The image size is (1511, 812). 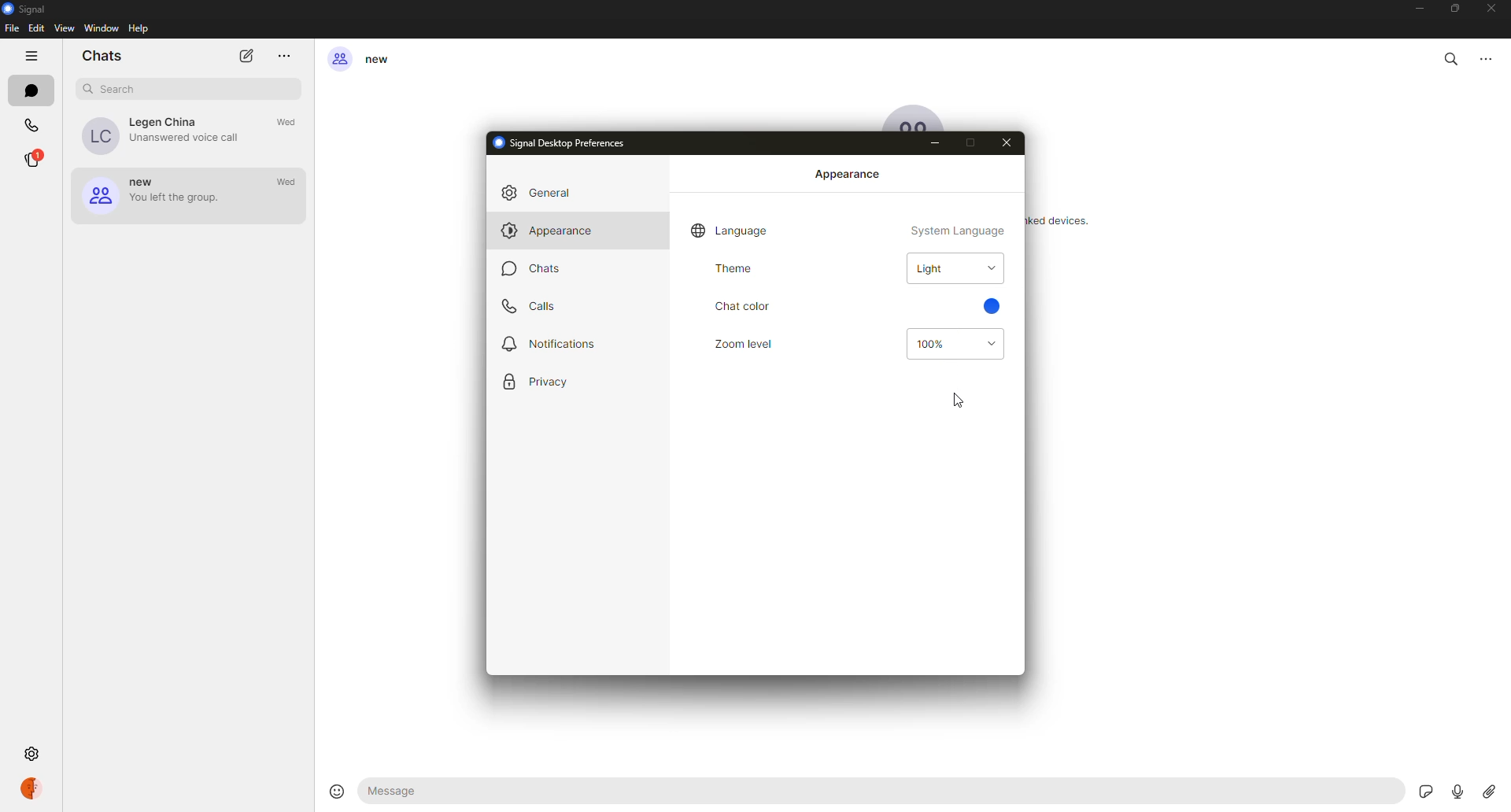 What do you see at coordinates (536, 304) in the screenshot?
I see `calls` at bounding box center [536, 304].